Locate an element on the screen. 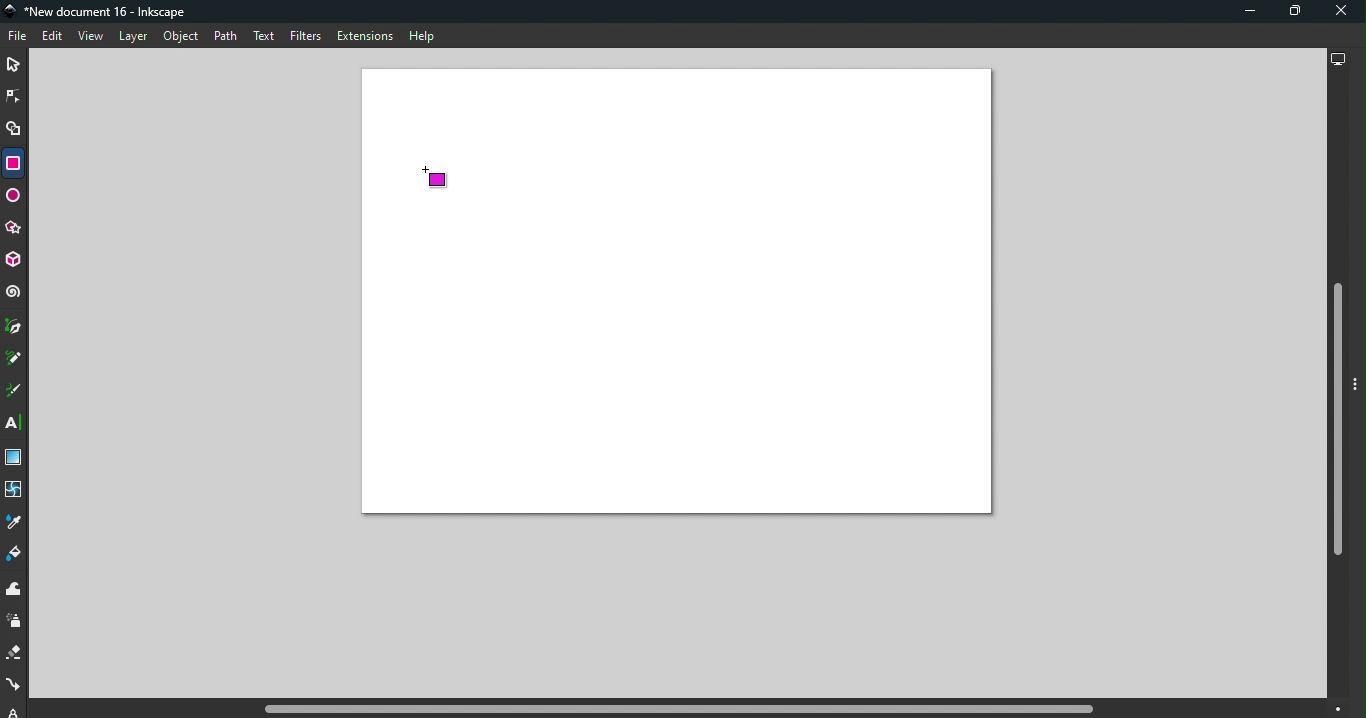  Canvas is located at coordinates (678, 292).